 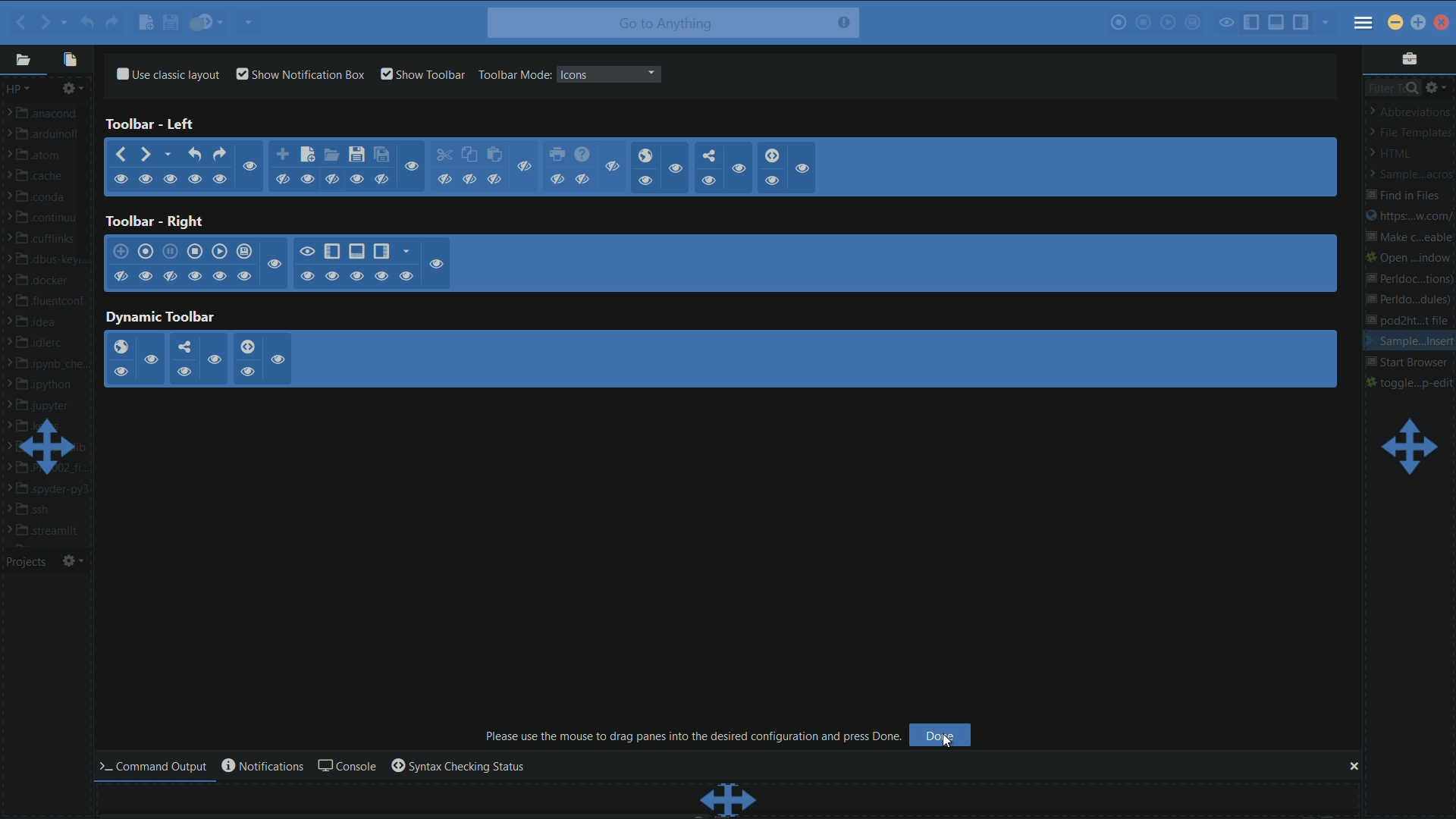 What do you see at coordinates (48, 199) in the screenshot?
I see `.conda` at bounding box center [48, 199].